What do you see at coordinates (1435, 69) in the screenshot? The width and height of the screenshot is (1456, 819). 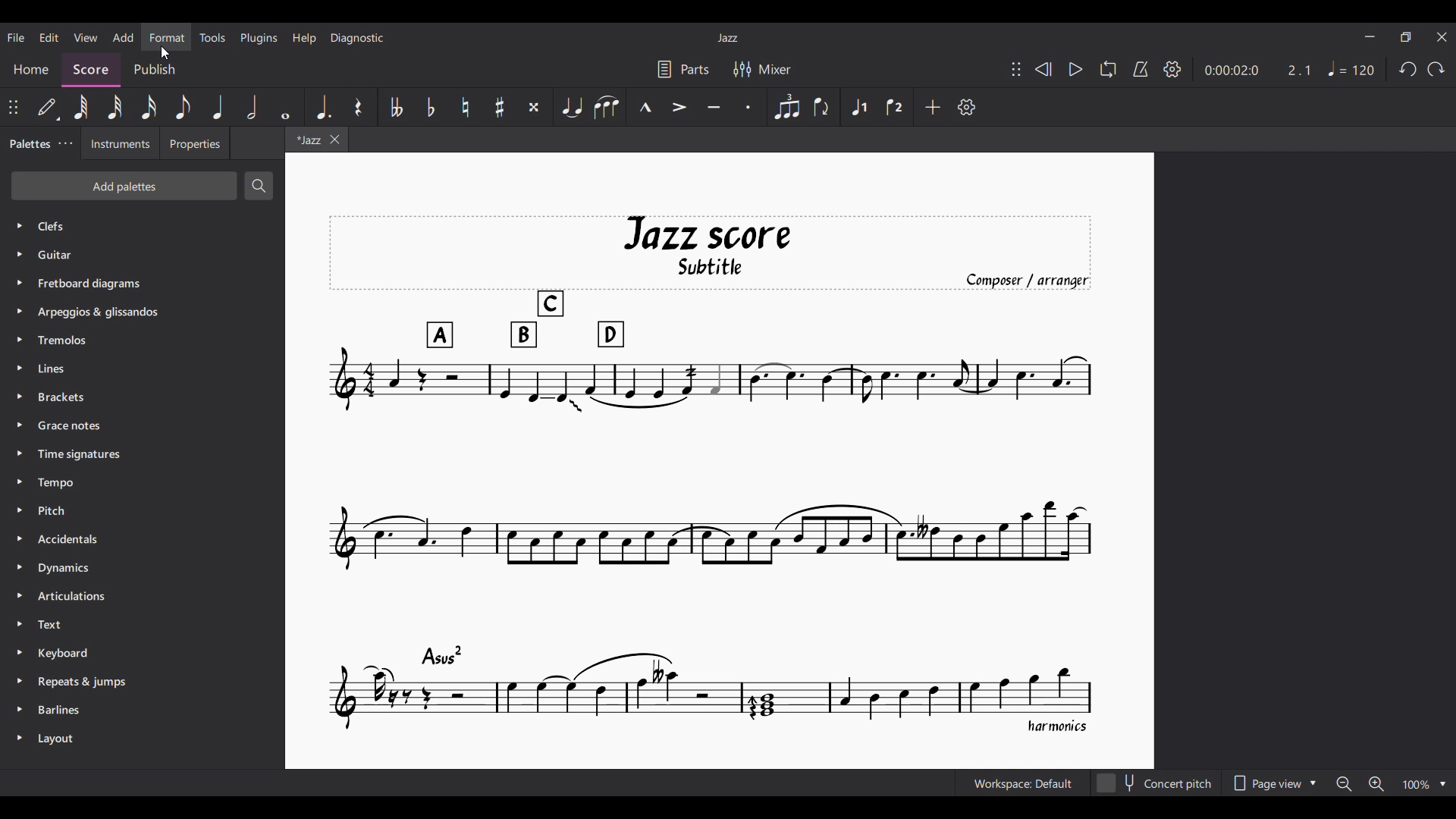 I see `Redo` at bounding box center [1435, 69].